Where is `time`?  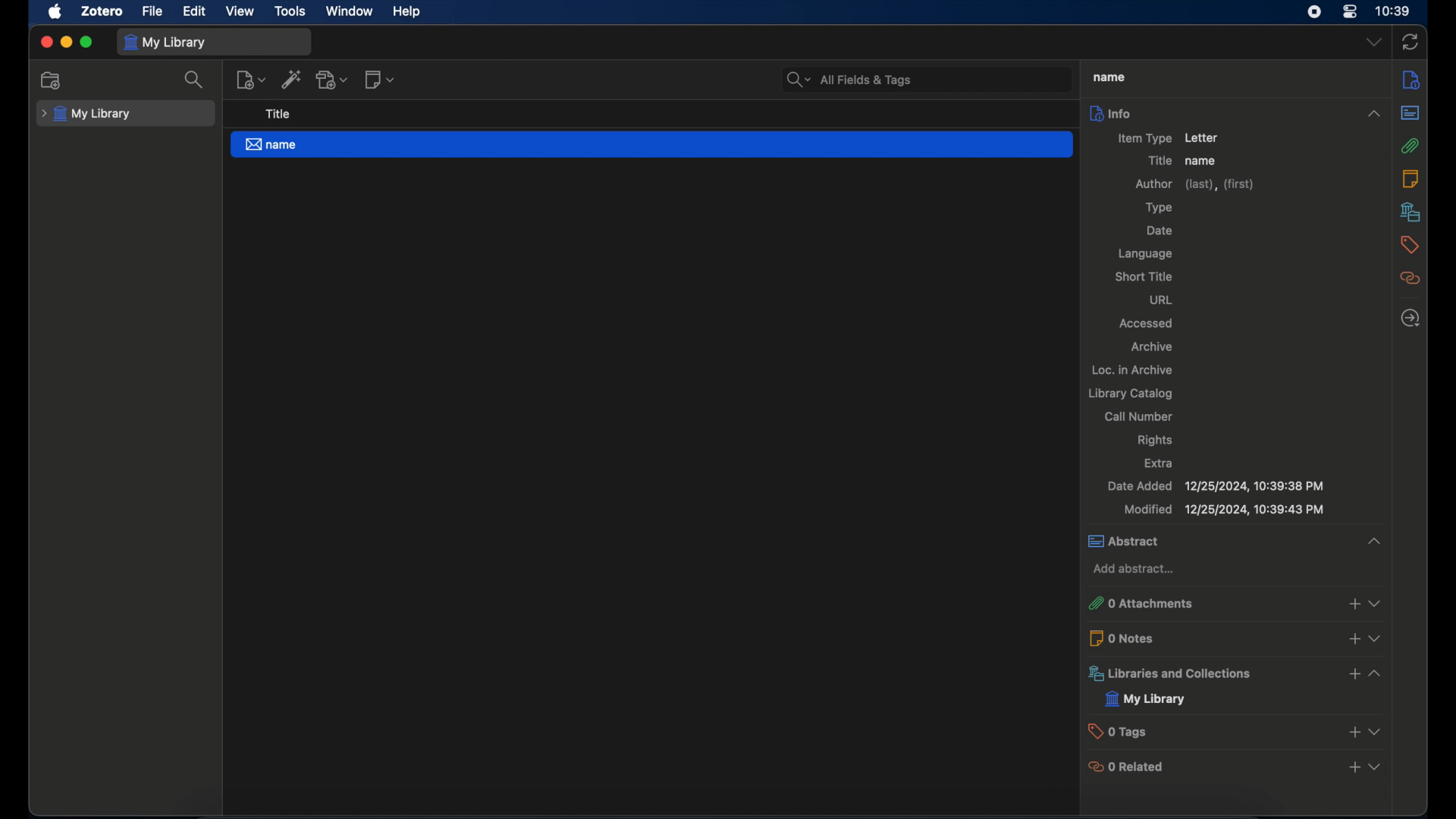
time is located at coordinates (1393, 11).